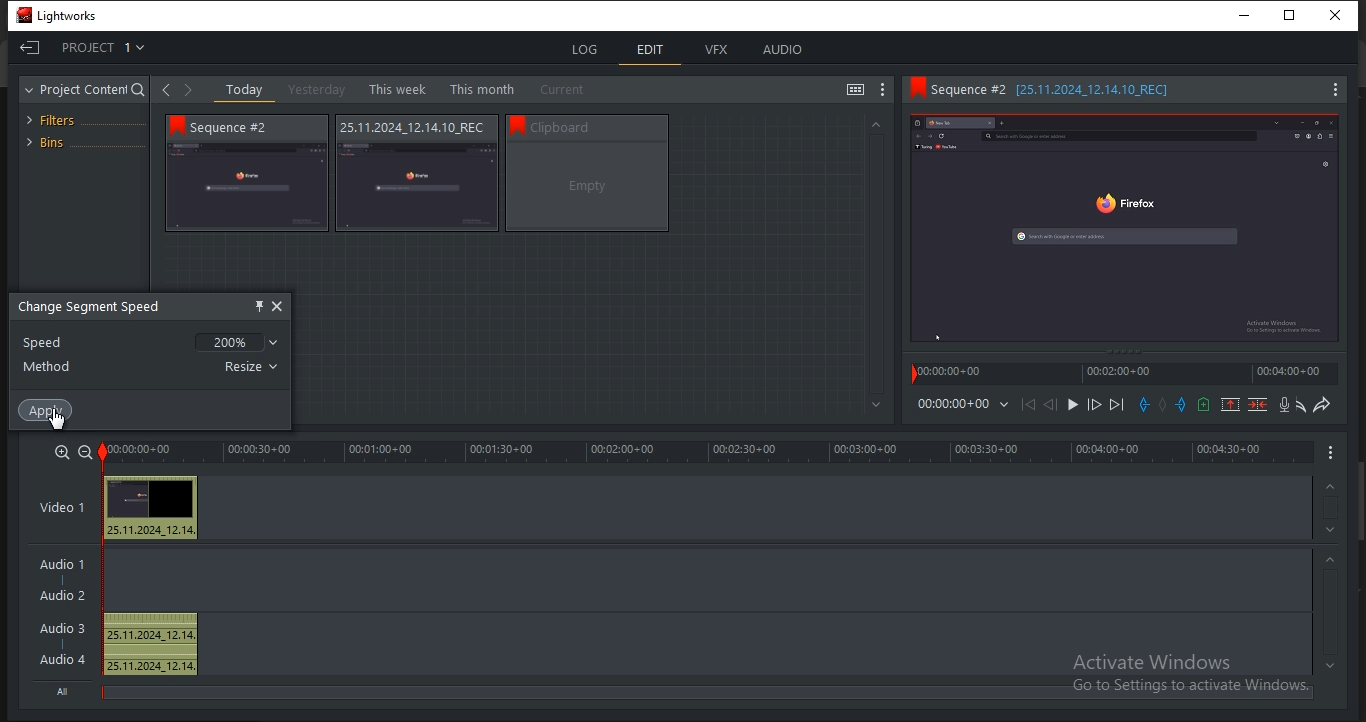 The image size is (1366, 722). I want to click on bookmark, so click(176, 127).